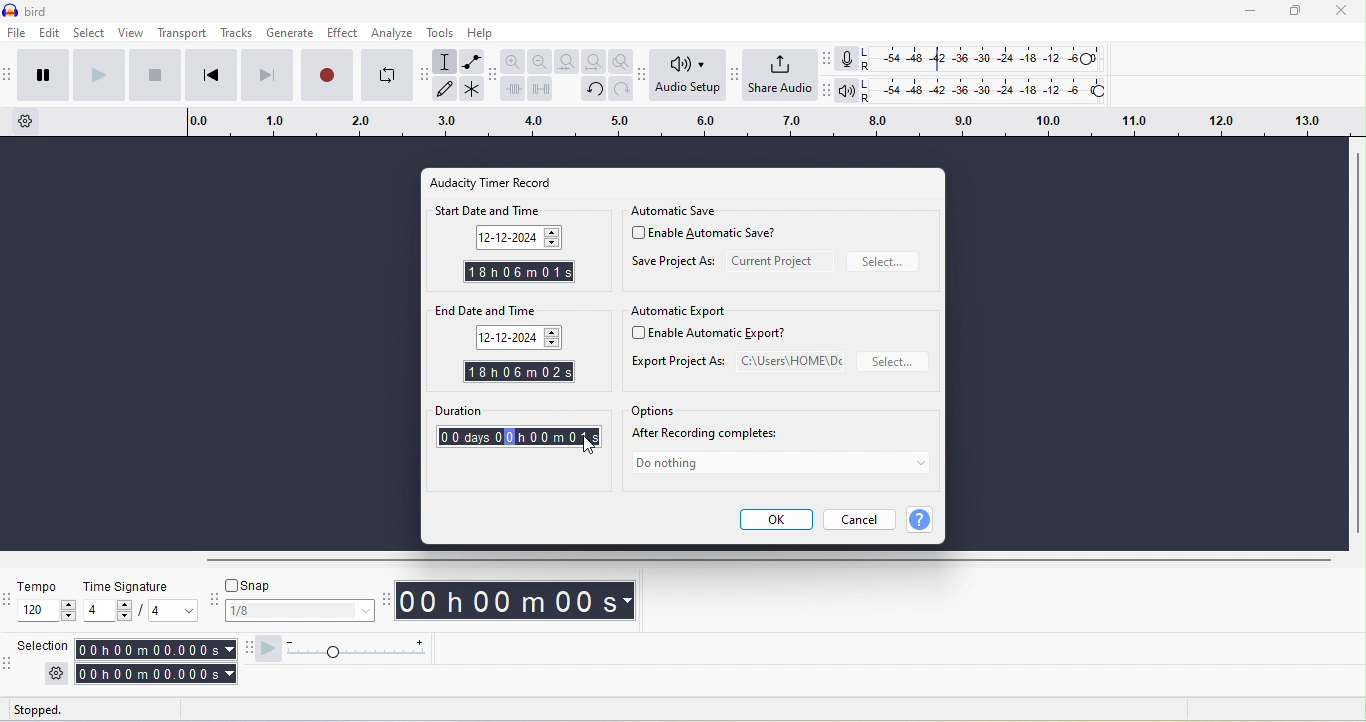  Describe the element at coordinates (512, 310) in the screenshot. I see `end date and time` at that location.